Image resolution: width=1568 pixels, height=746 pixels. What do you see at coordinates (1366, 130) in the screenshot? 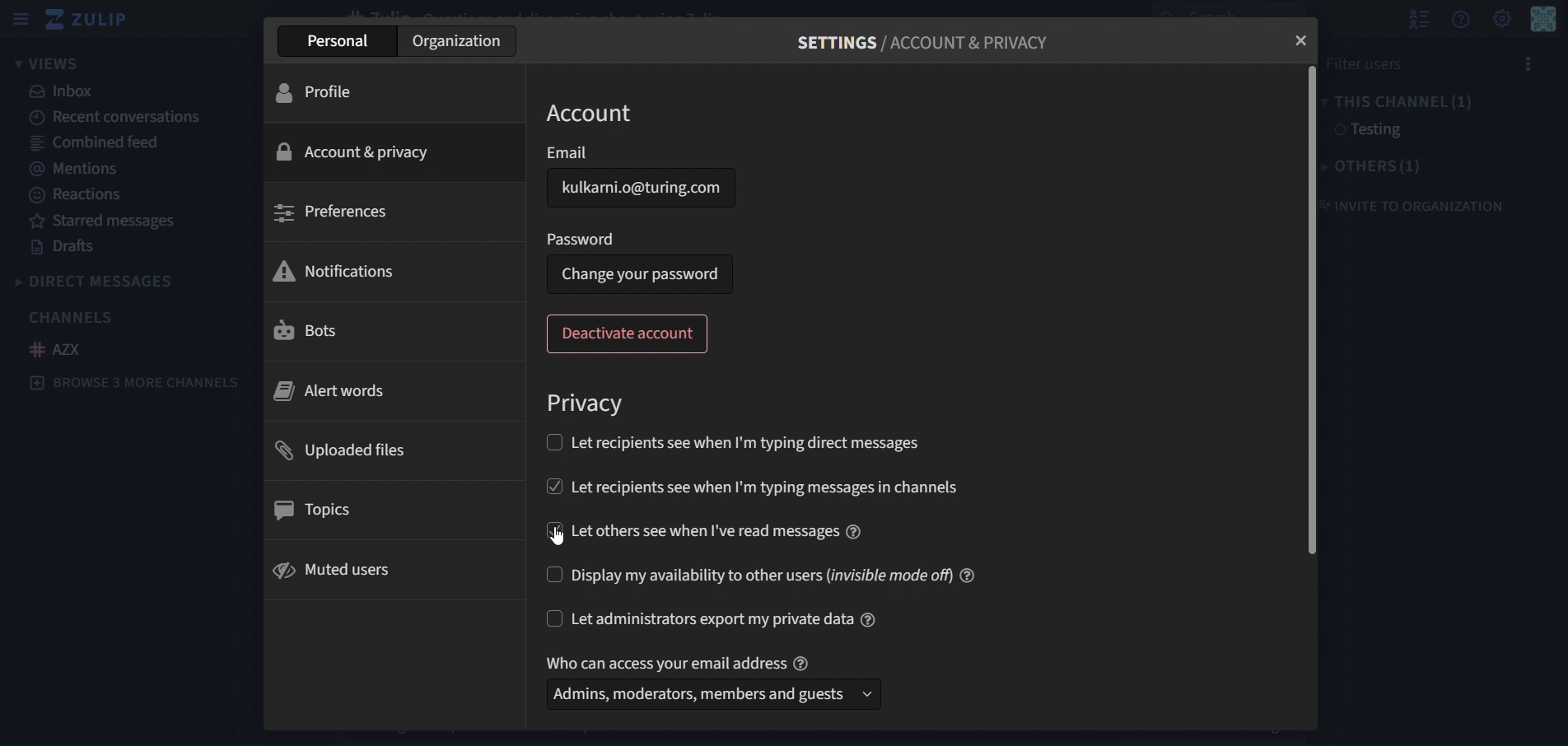
I see `testing` at bounding box center [1366, 130].